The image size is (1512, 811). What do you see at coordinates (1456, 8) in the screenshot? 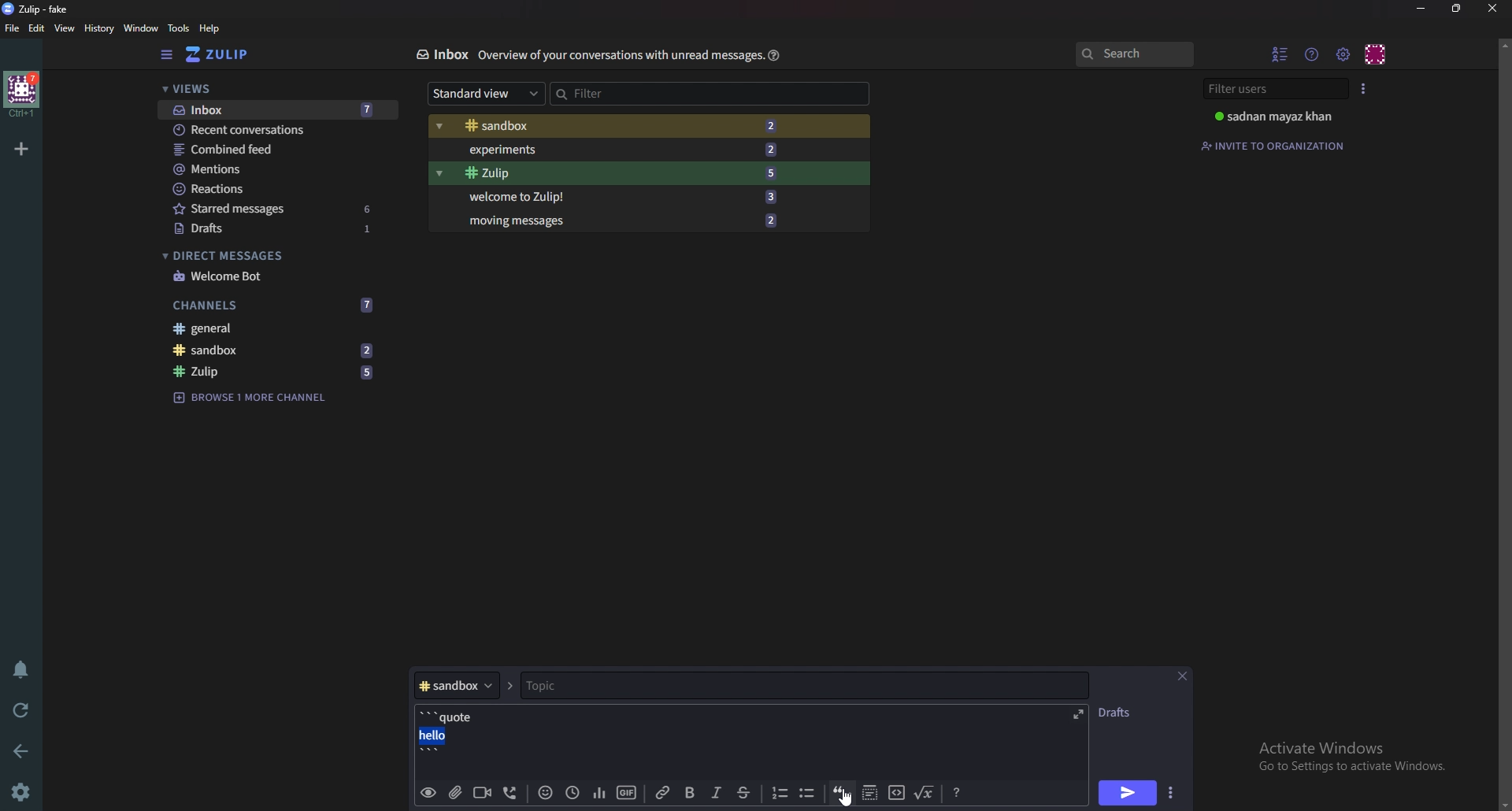
I see `Resize` at bounding box center [1456, 8].